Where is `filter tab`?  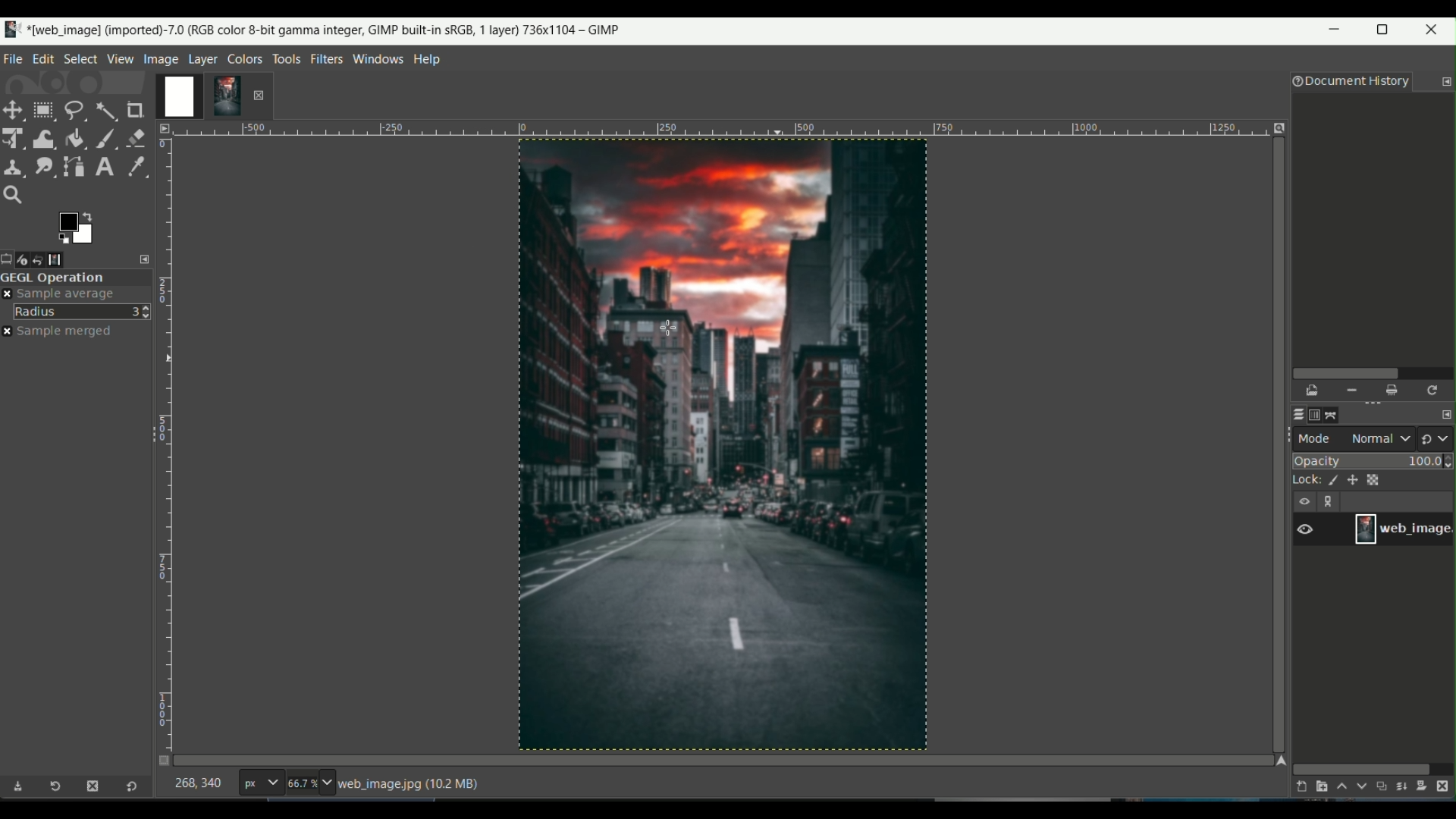 filter tab is located at coordinates (326, 58).